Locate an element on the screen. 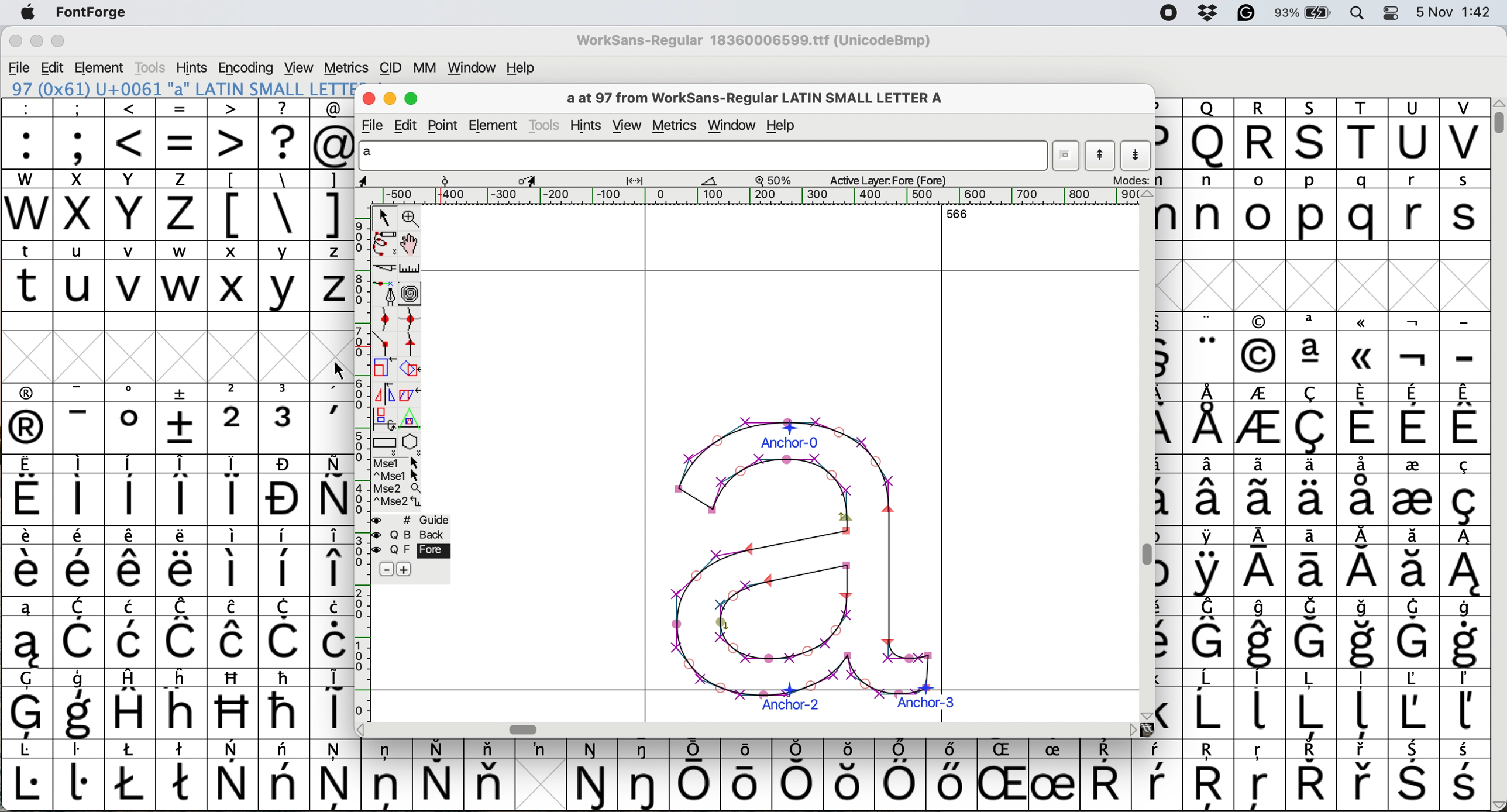  maximise is located at coordinates (59, 44).